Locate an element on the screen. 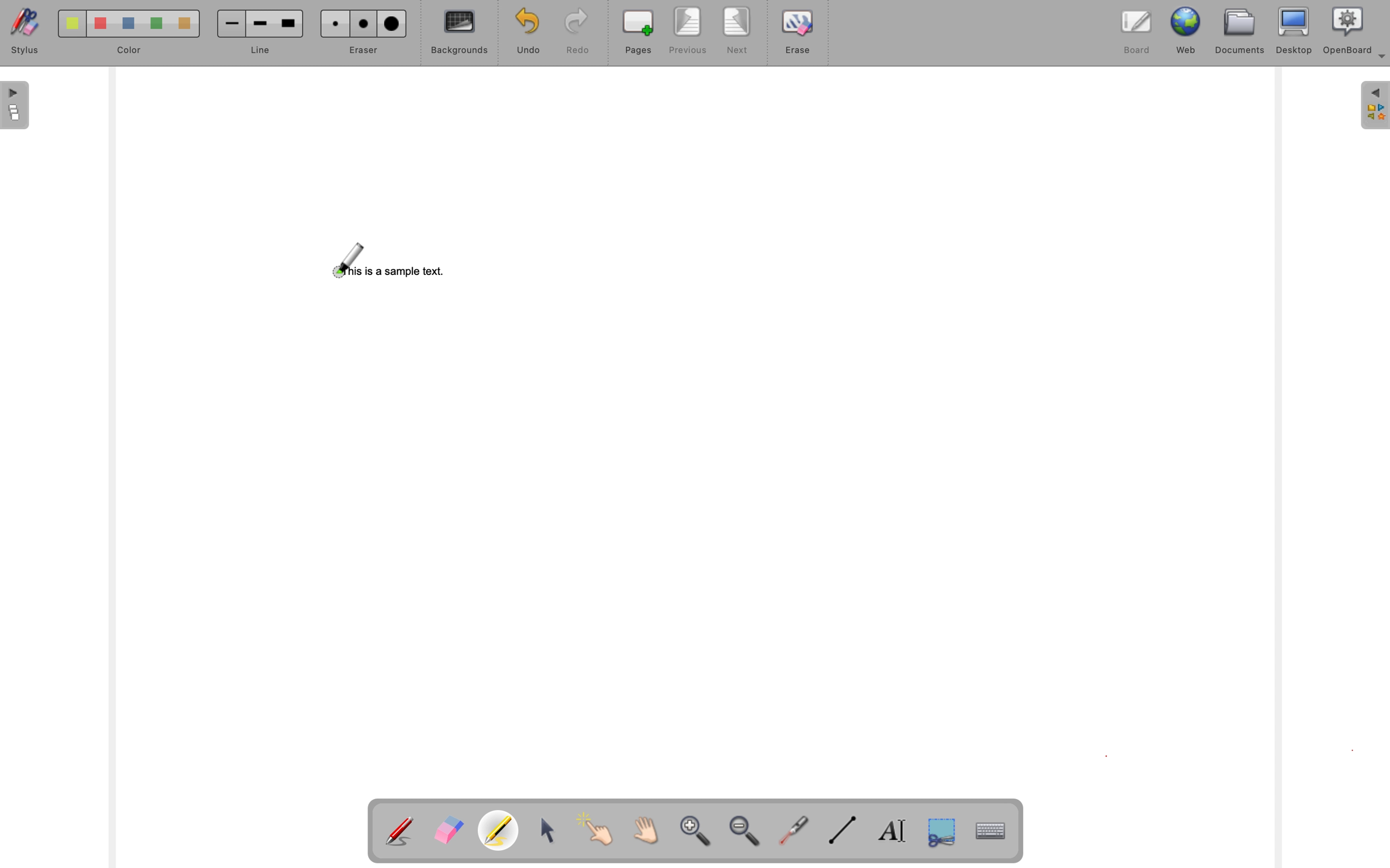  Color 4 is located at coordinates (157, 24).